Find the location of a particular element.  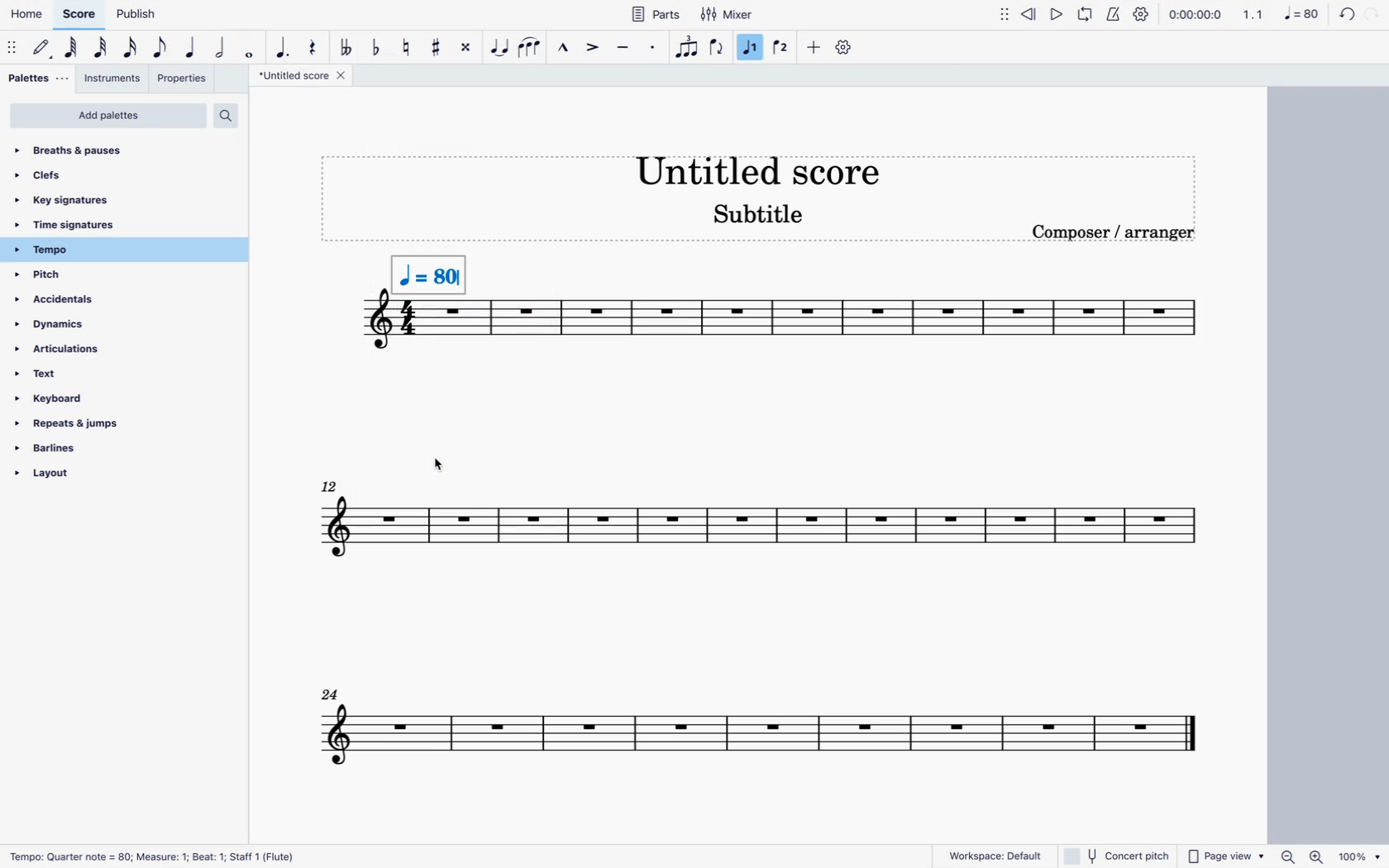

scale is located at coordinates (1239, 15).